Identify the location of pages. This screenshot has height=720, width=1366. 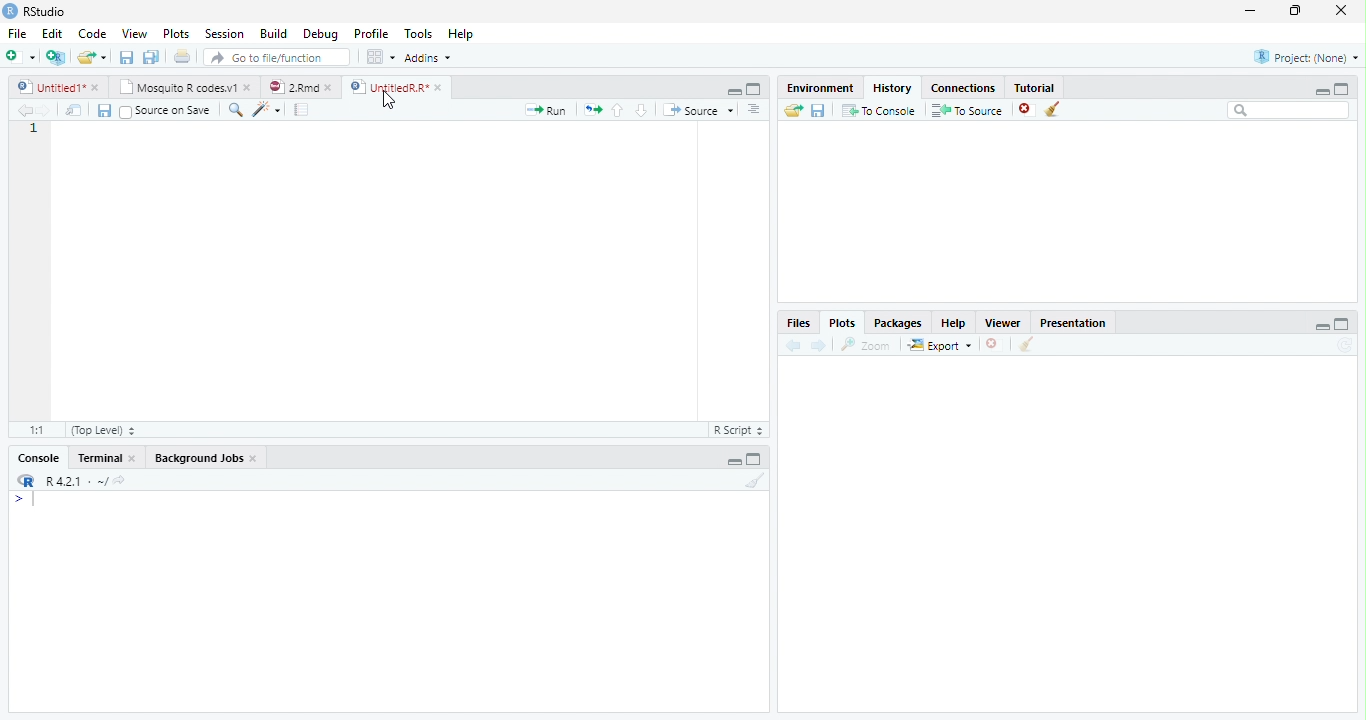
(299, 112).